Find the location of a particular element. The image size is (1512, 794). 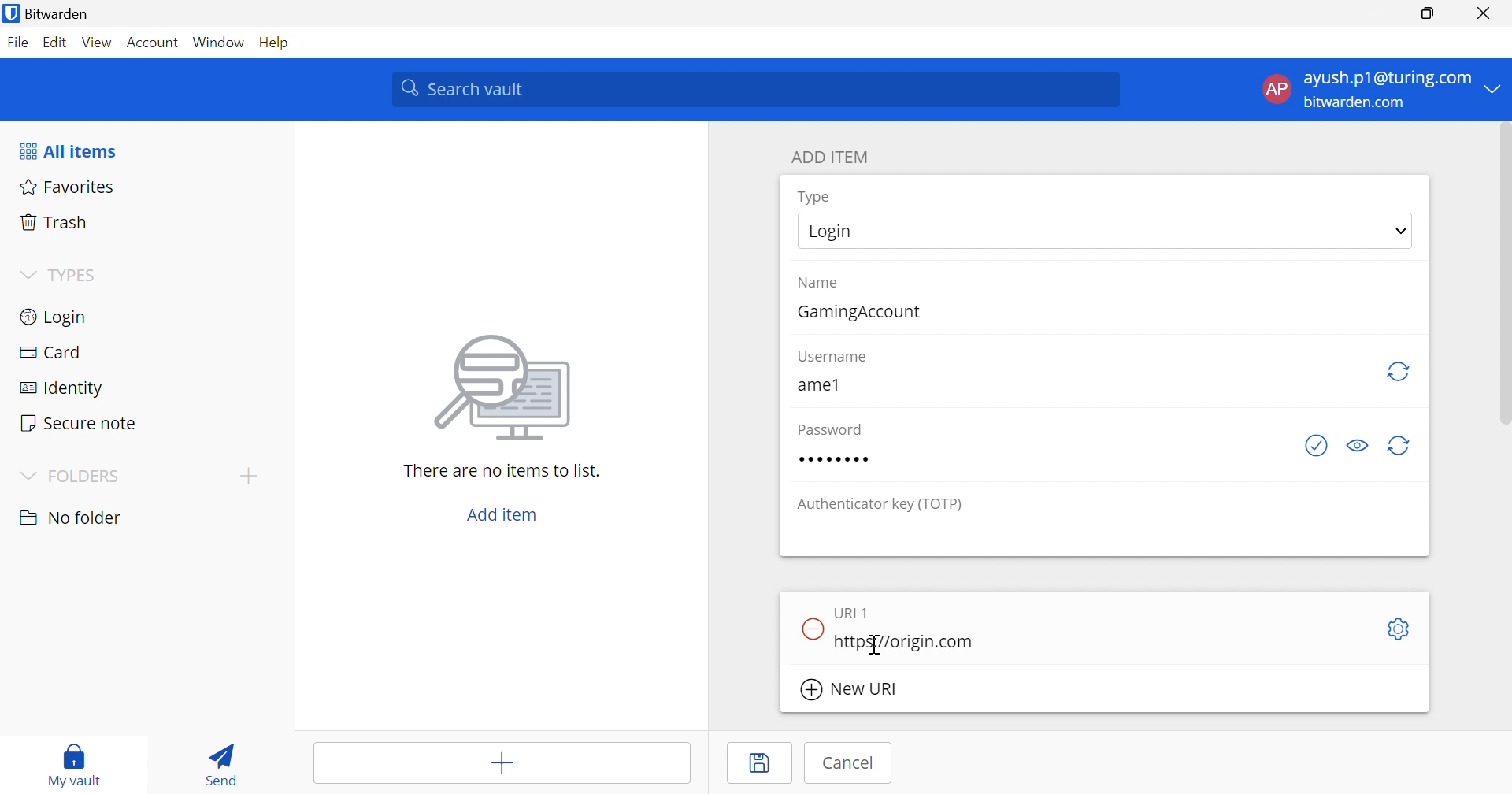

Account is located at coordinates (154, 41).